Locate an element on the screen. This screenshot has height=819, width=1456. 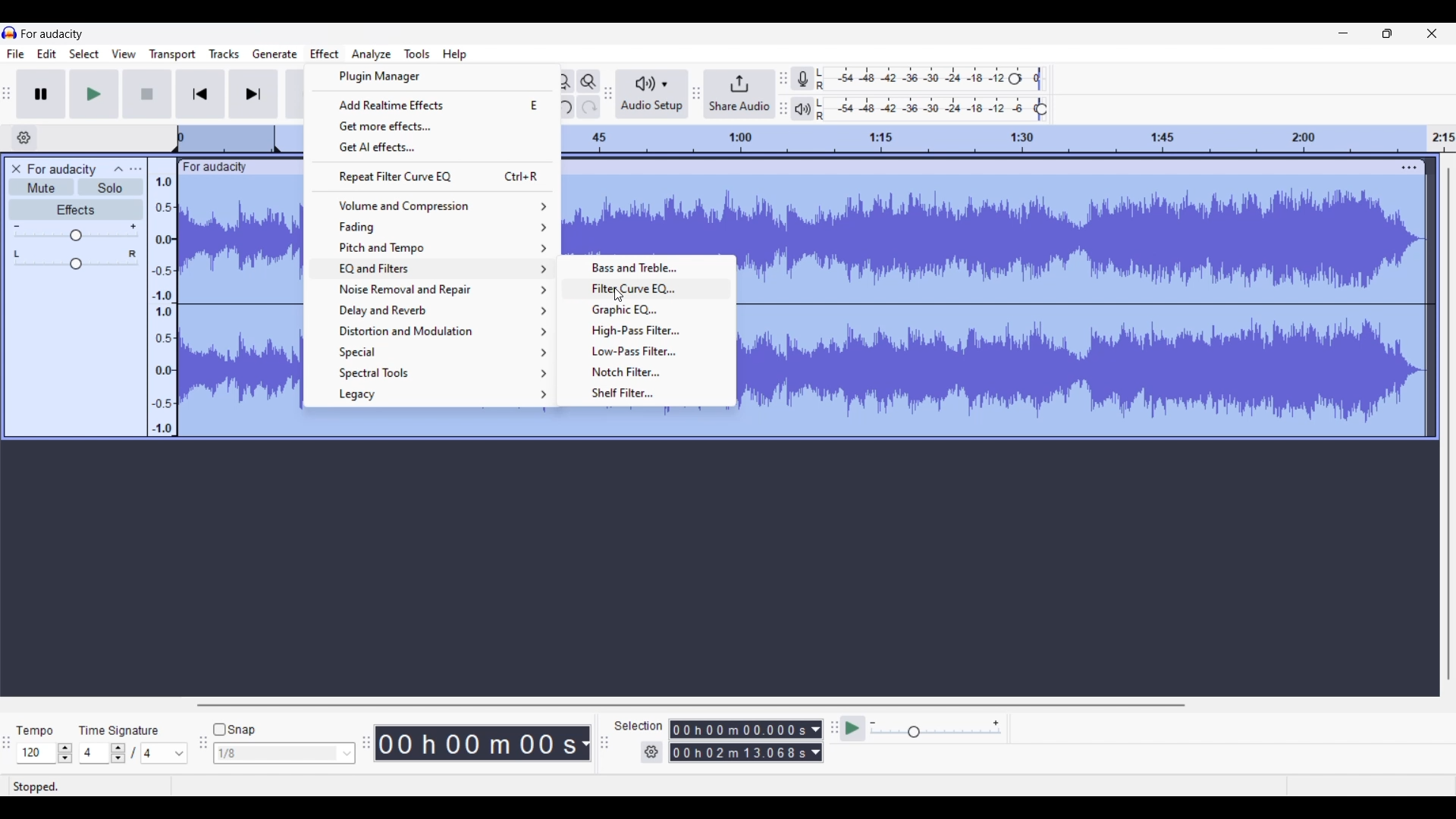
Tempo is located at coordinates (36, 729).